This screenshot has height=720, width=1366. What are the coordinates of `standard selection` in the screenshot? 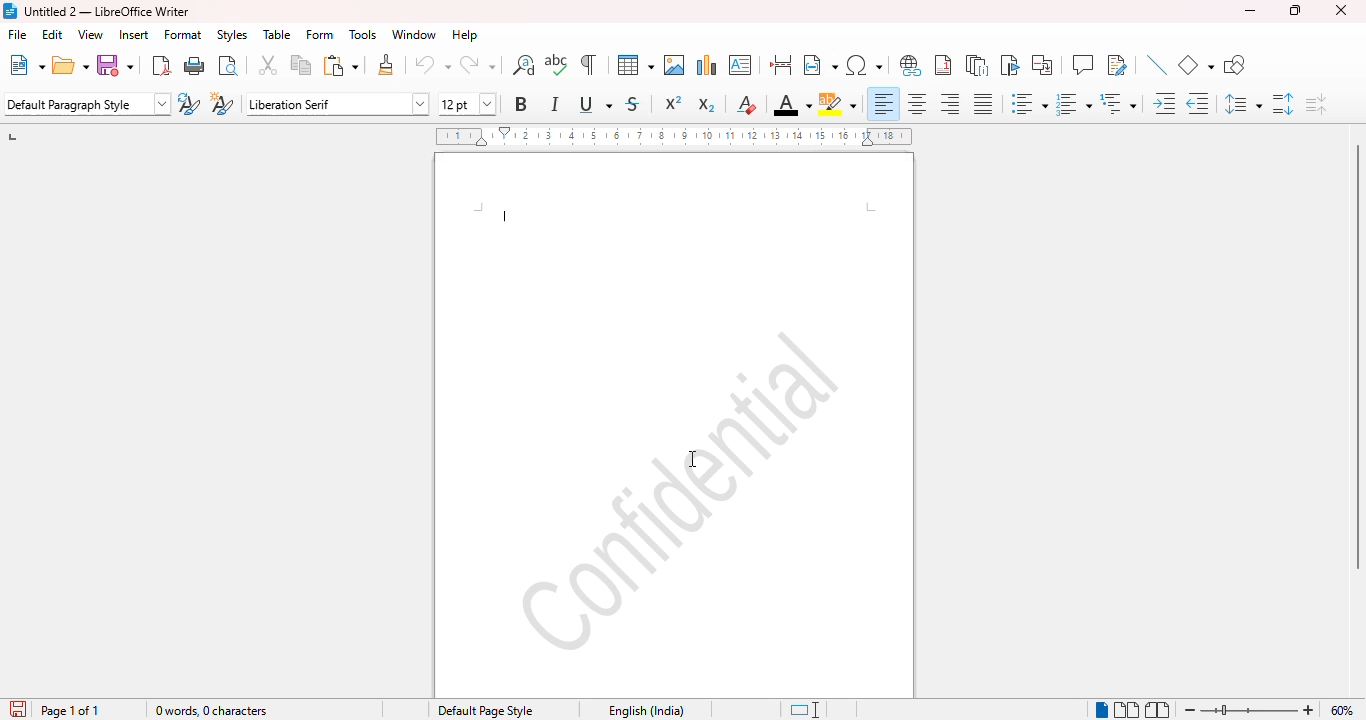 It's located at (806, 710).